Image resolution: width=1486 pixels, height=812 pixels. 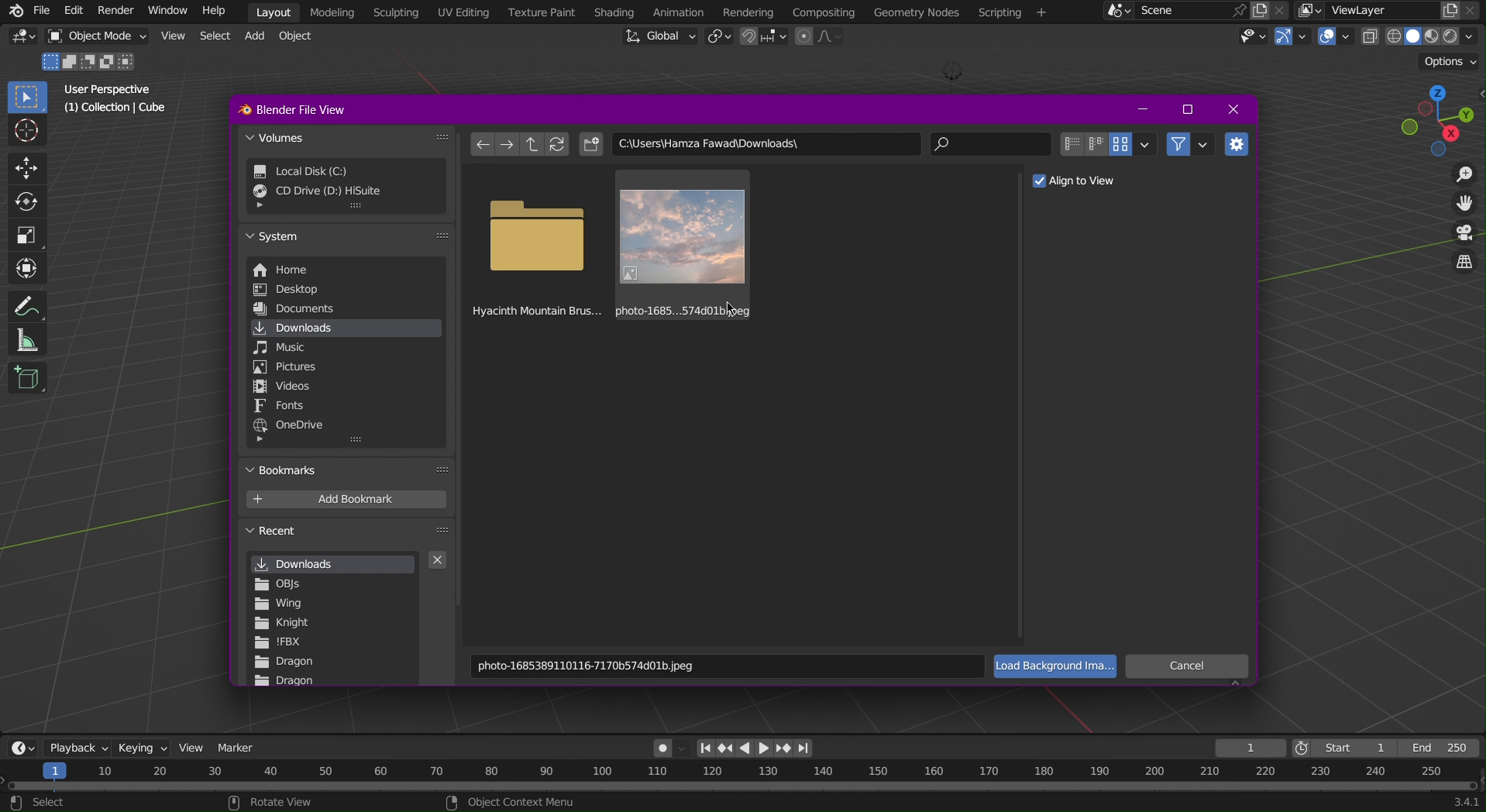 What do you see at coordinates (24, 201) in the screenshot?
I see `Rotate` at bounding box center [24, 201].